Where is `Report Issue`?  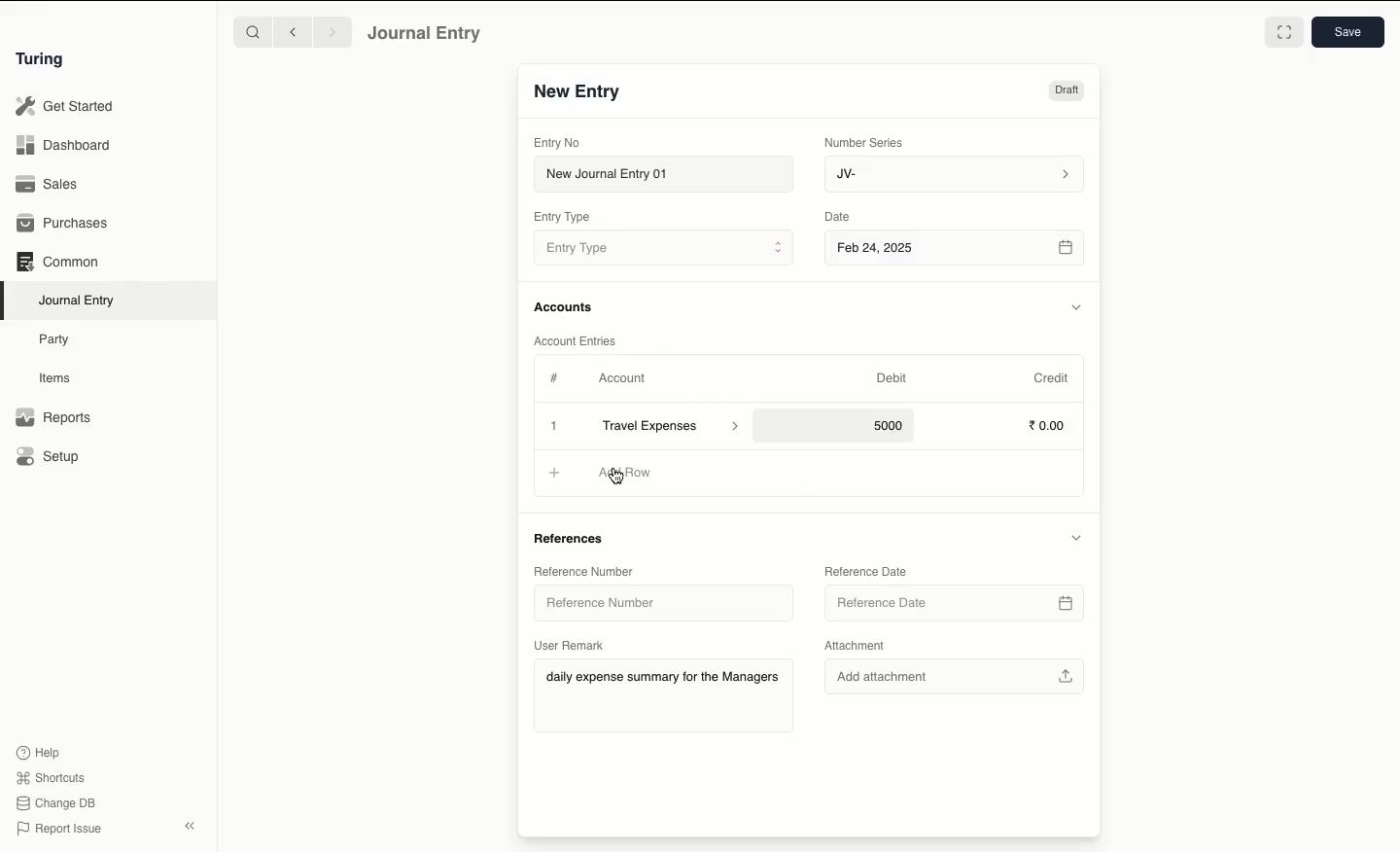
Report Issue is located at coordinates (61, 830).